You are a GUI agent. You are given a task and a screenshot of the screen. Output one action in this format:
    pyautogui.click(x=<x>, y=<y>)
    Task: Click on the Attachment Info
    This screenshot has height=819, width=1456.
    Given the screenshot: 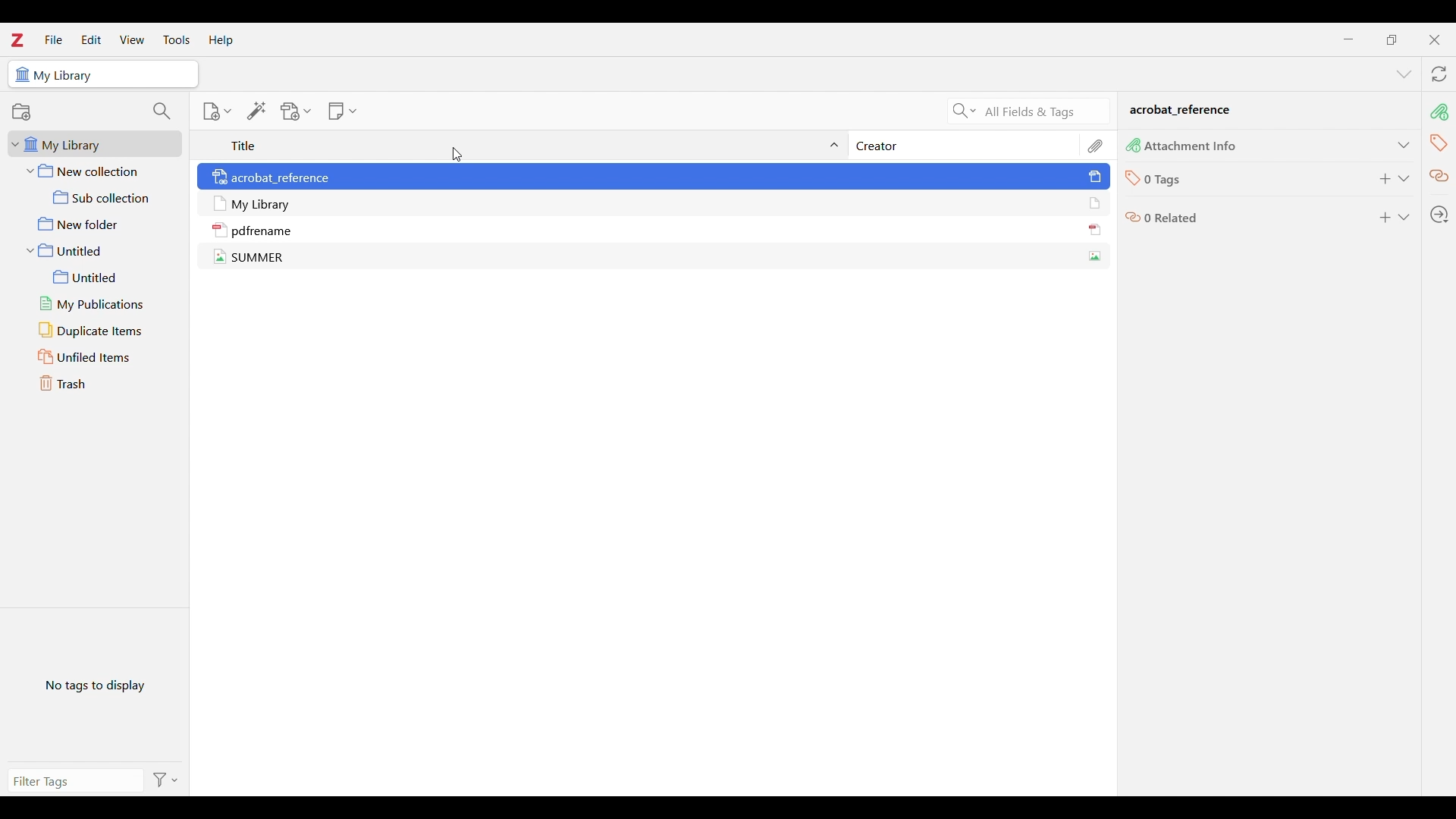 What is the action you would take?
    pyautogui.click(x=1192, y=147)
    